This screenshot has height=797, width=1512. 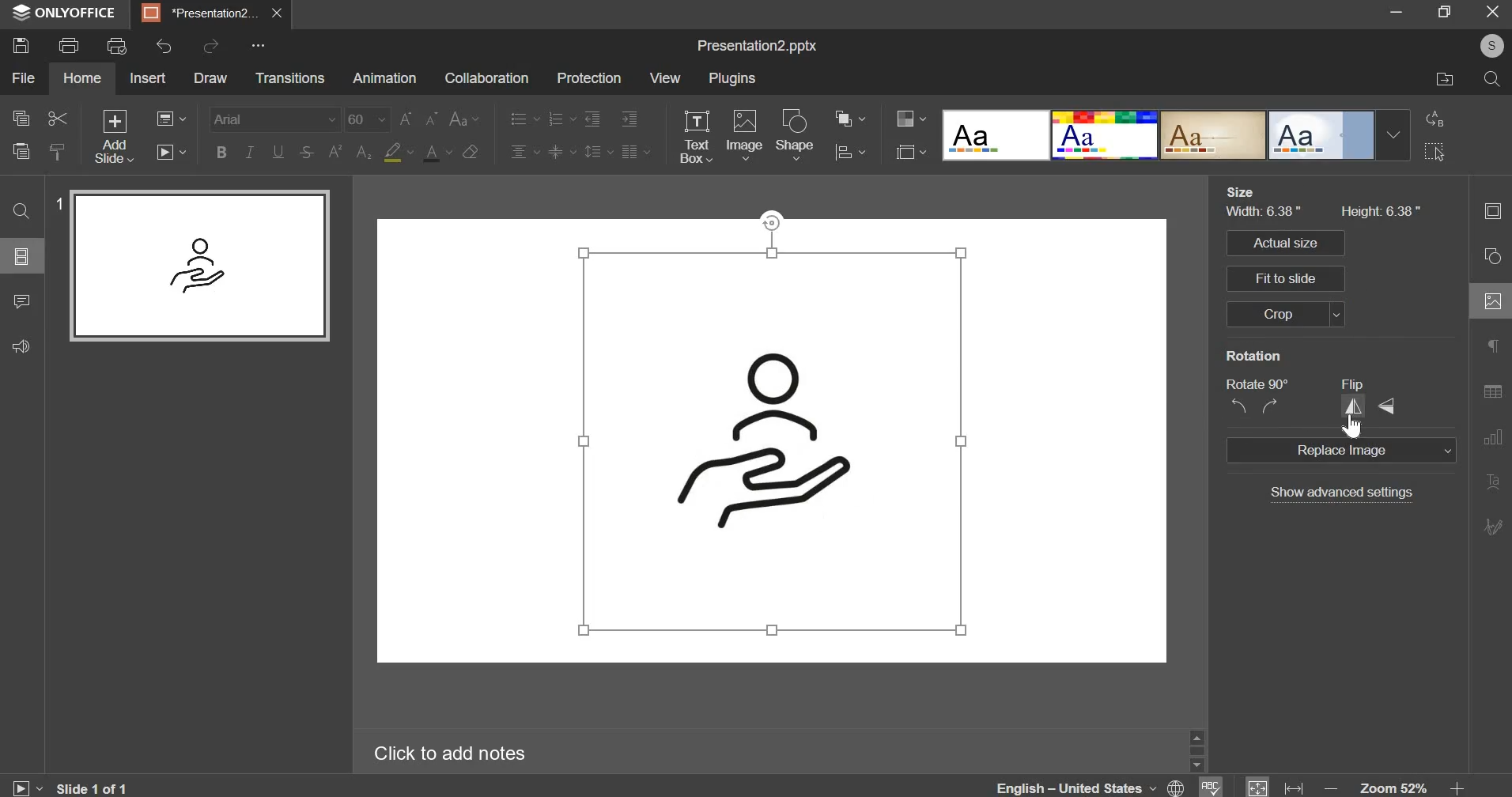 What do you see at coordinates (169, 152) in the screenshot?
I see `slideshow` at bounding box center [169, 152].